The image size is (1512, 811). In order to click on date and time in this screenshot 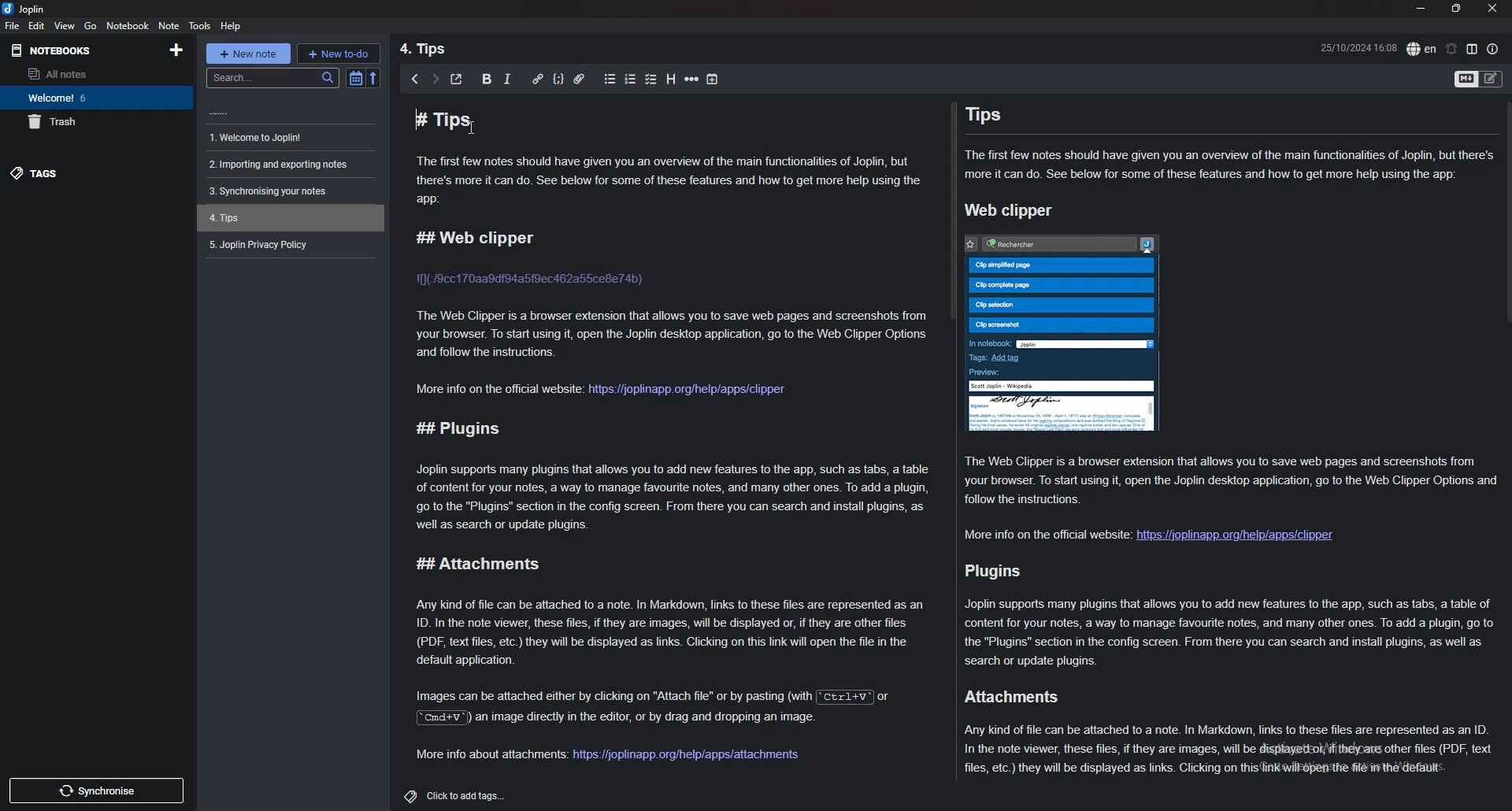, I will do `click(1358, 48)`.